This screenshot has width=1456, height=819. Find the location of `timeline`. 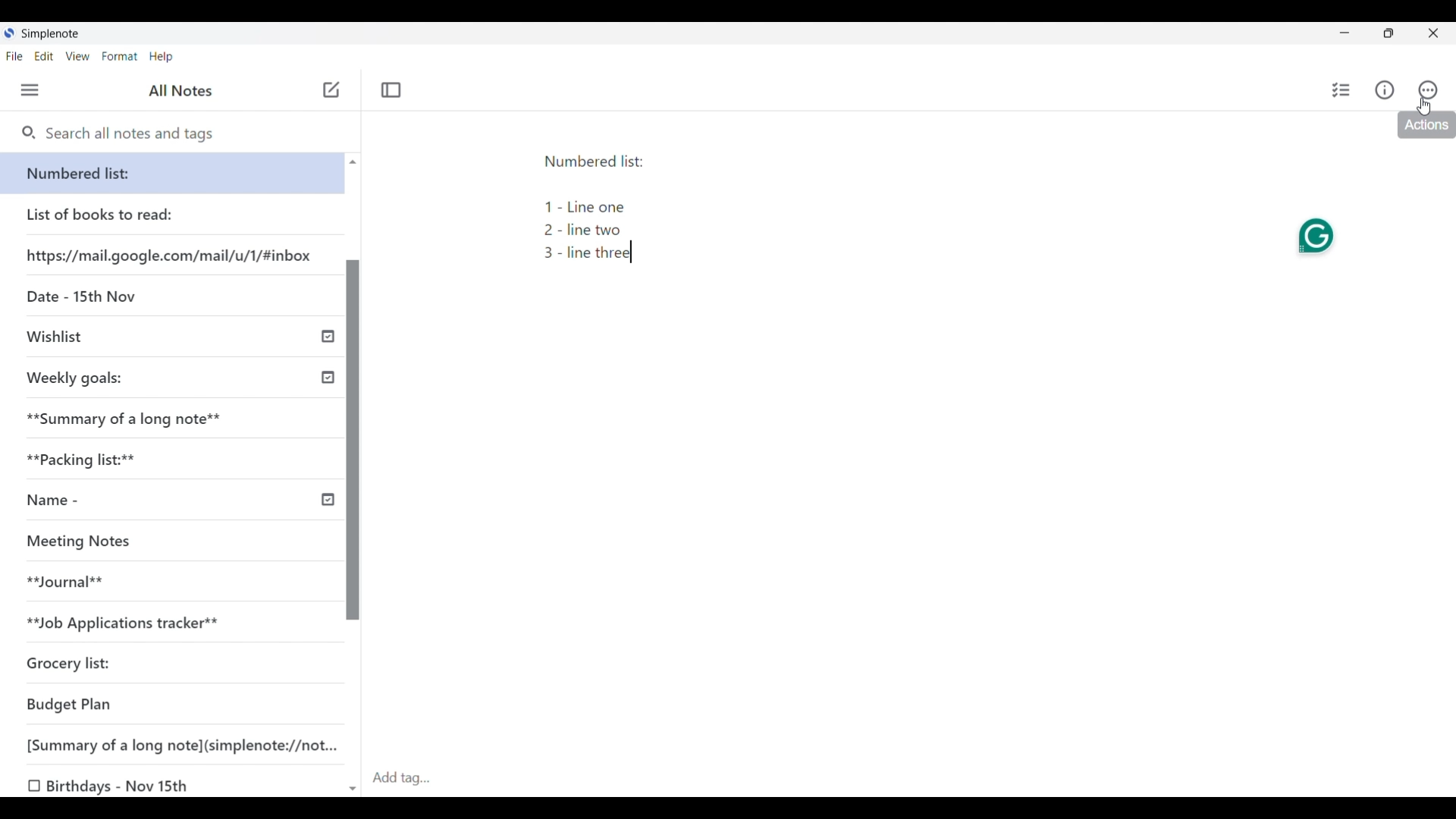

timeline is located at coordinates (325, 334).